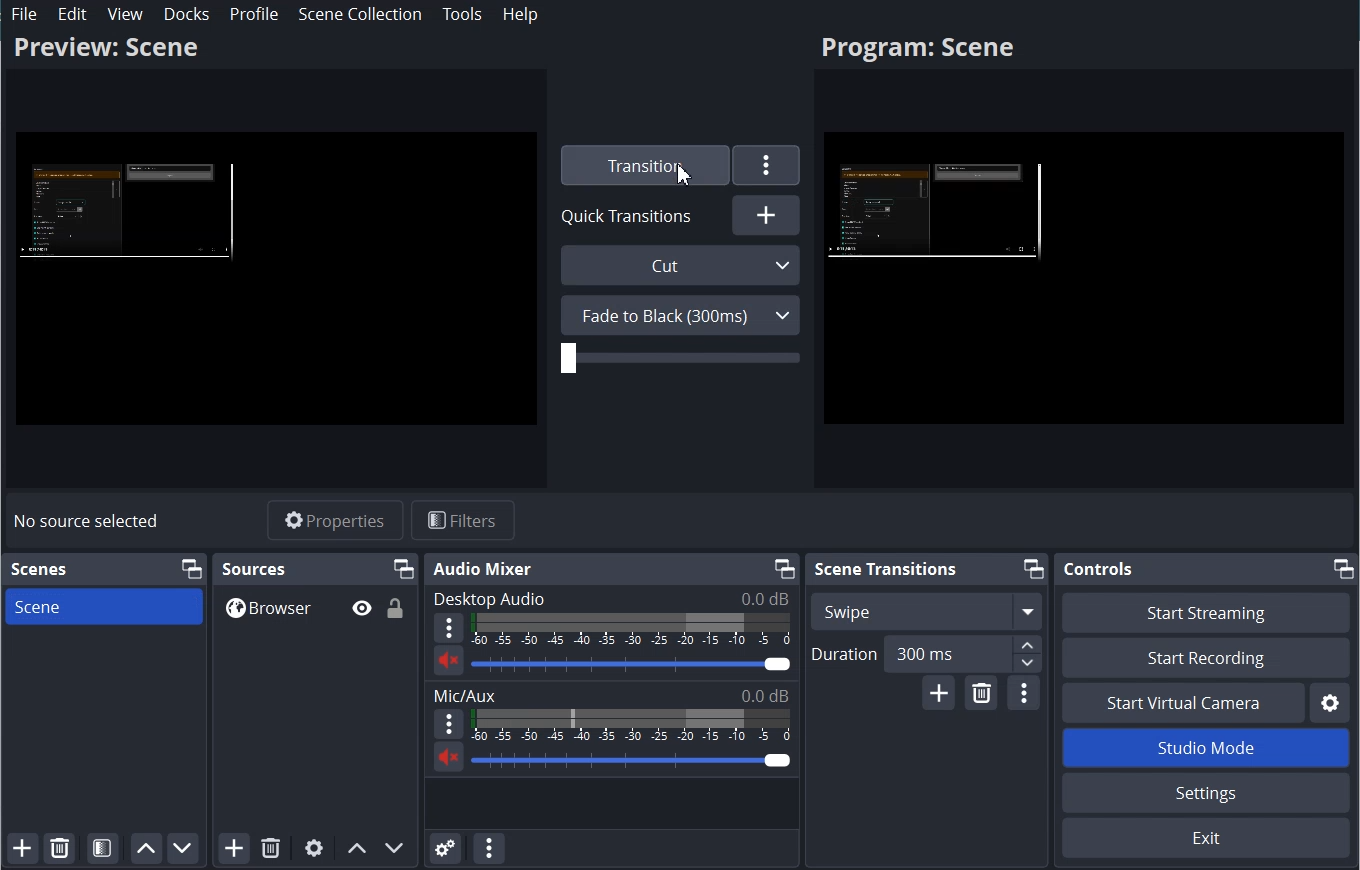 The image size is (1360, 870). Describe the element at coordinates (1034, 569) in the screenshot. I see `Maximize` at that location.